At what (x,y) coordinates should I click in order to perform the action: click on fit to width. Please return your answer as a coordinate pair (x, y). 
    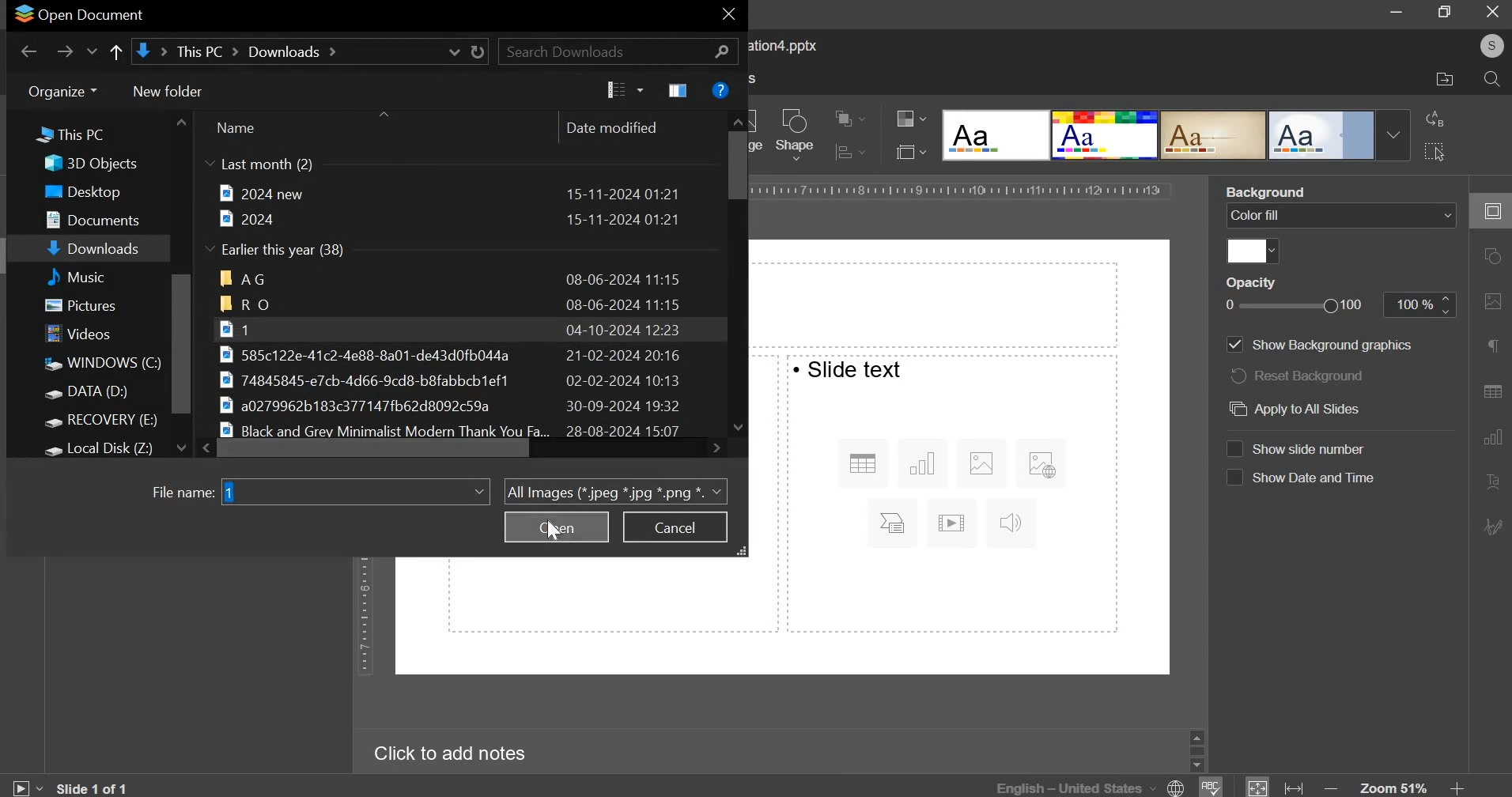
    Looking at the image, I should click on (1295, 788).